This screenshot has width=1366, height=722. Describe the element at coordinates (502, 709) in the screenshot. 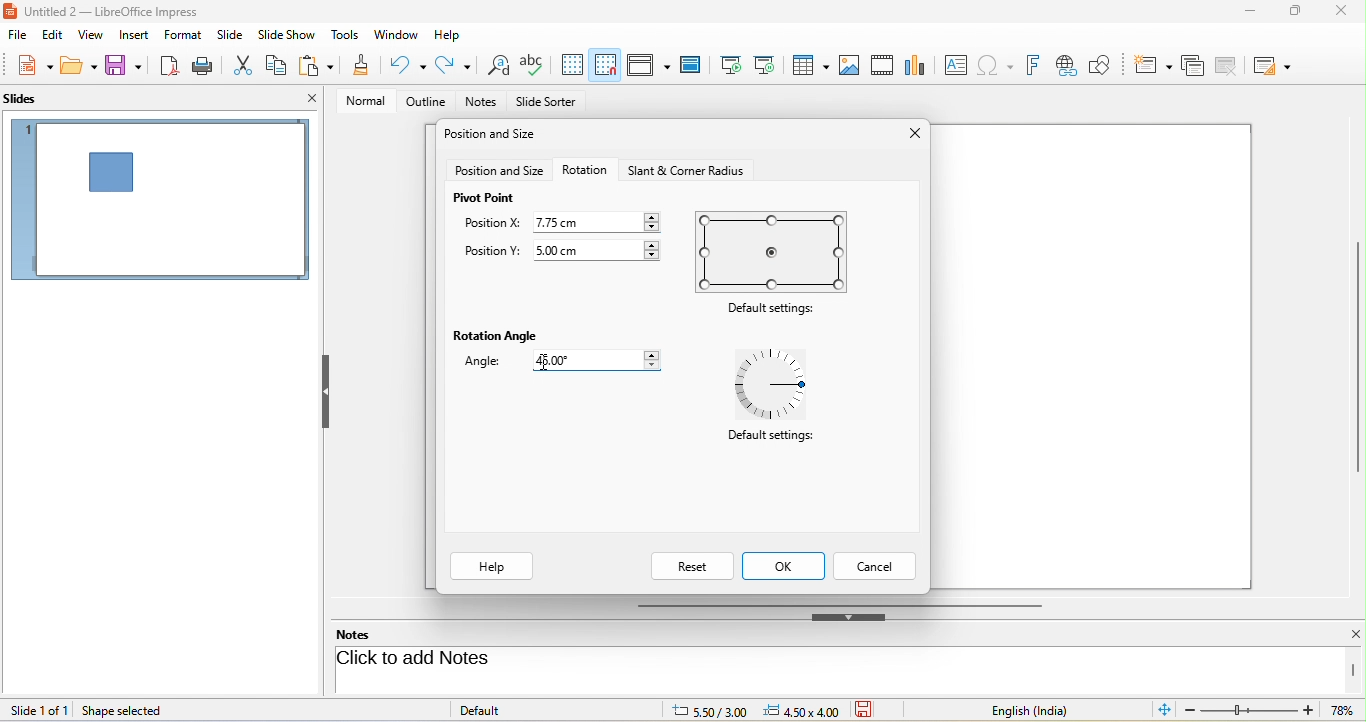

I see `default` at that location.